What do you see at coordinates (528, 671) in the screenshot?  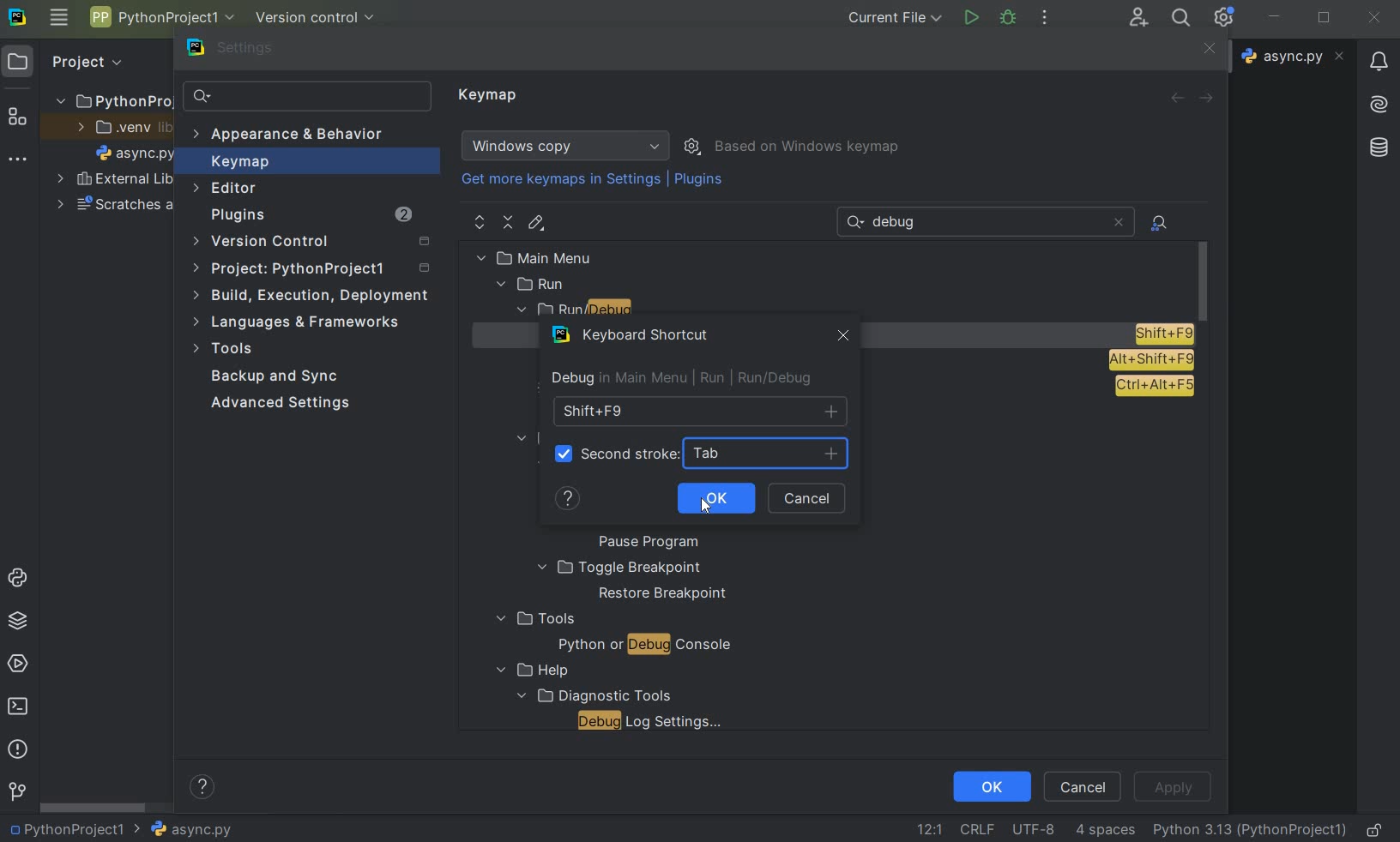 I see `help` at bounding box center [528, 671].